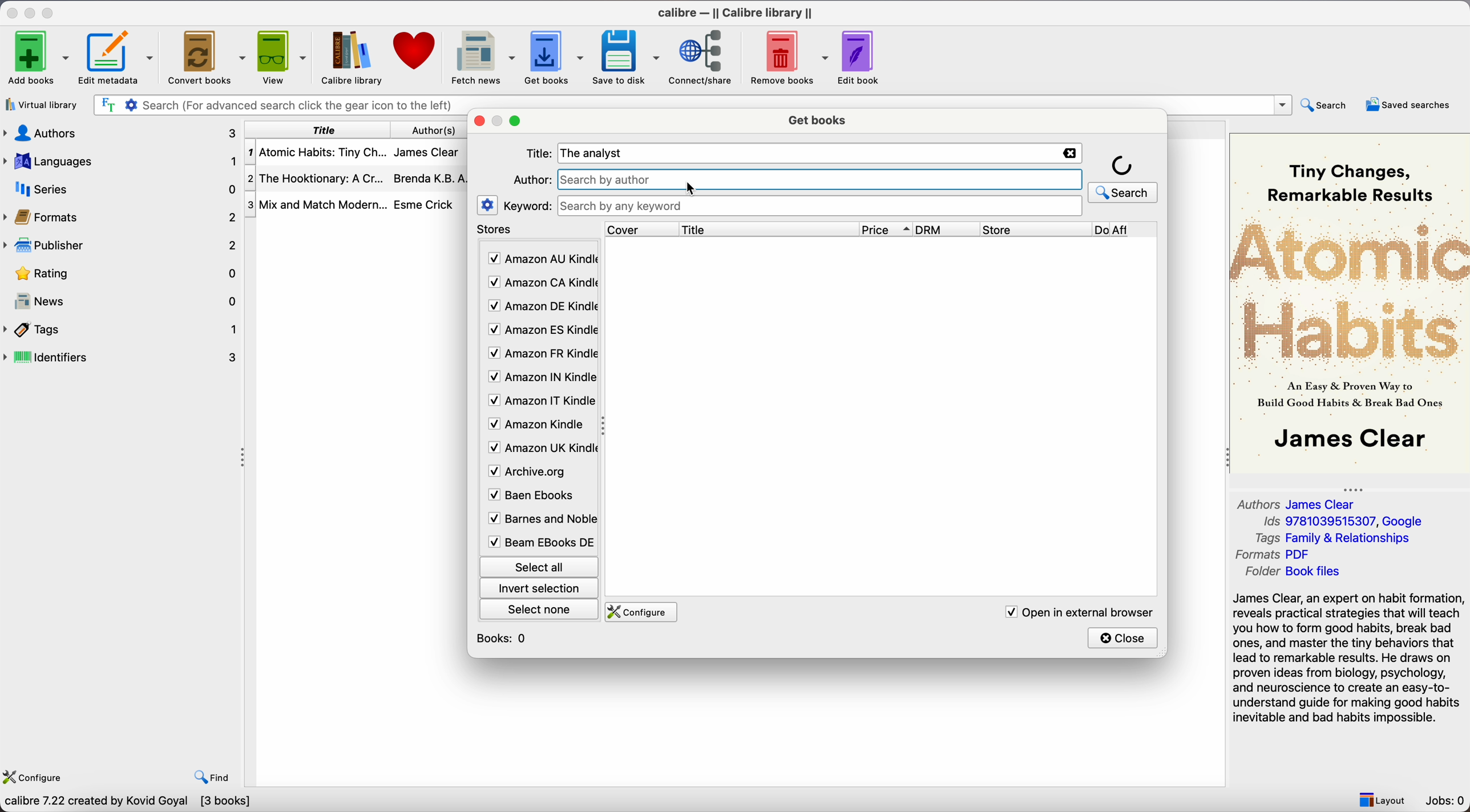  I want to click on close, so click(1124, 637).